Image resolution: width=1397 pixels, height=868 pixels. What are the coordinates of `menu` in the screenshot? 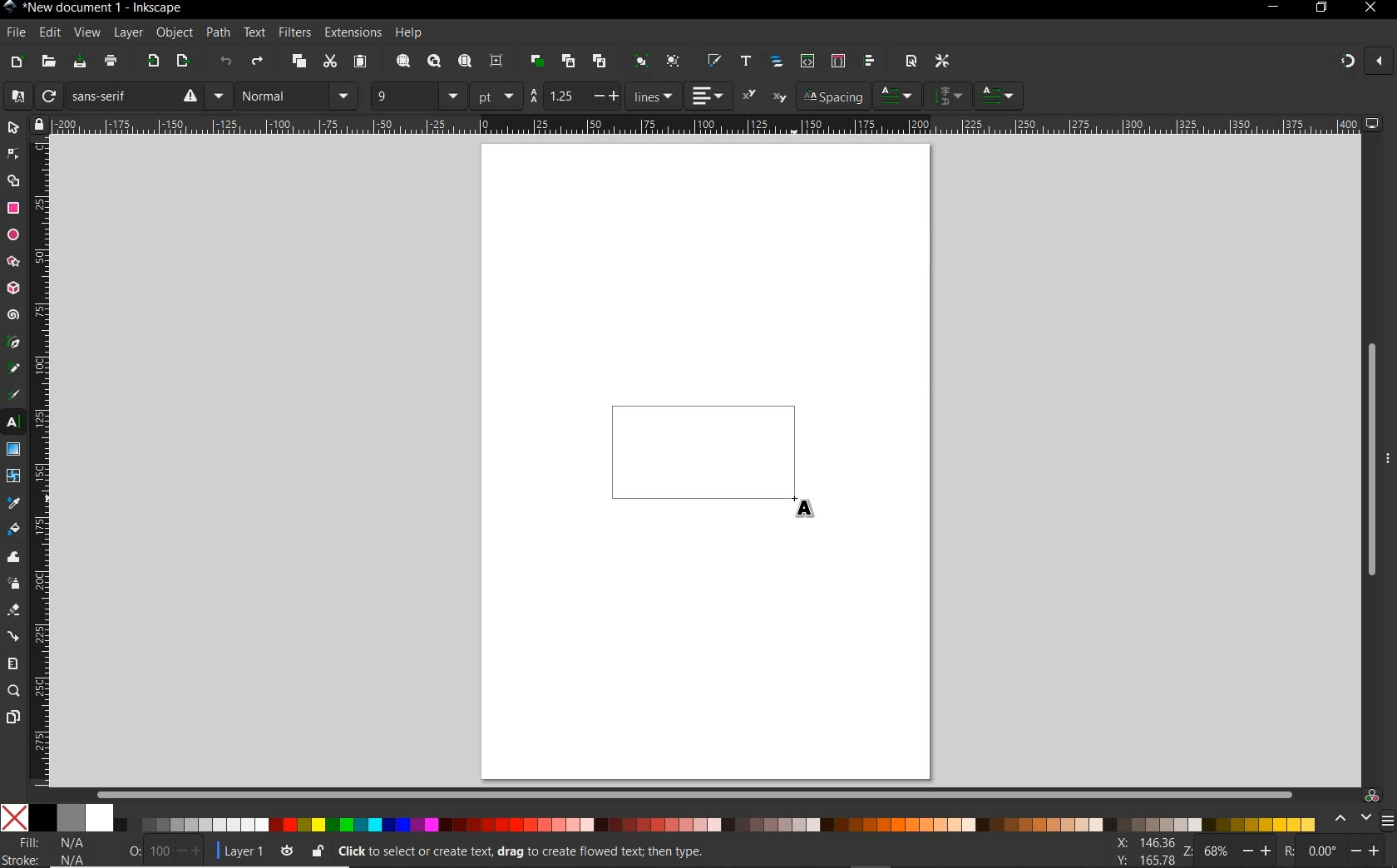 It's located at (345, 96).